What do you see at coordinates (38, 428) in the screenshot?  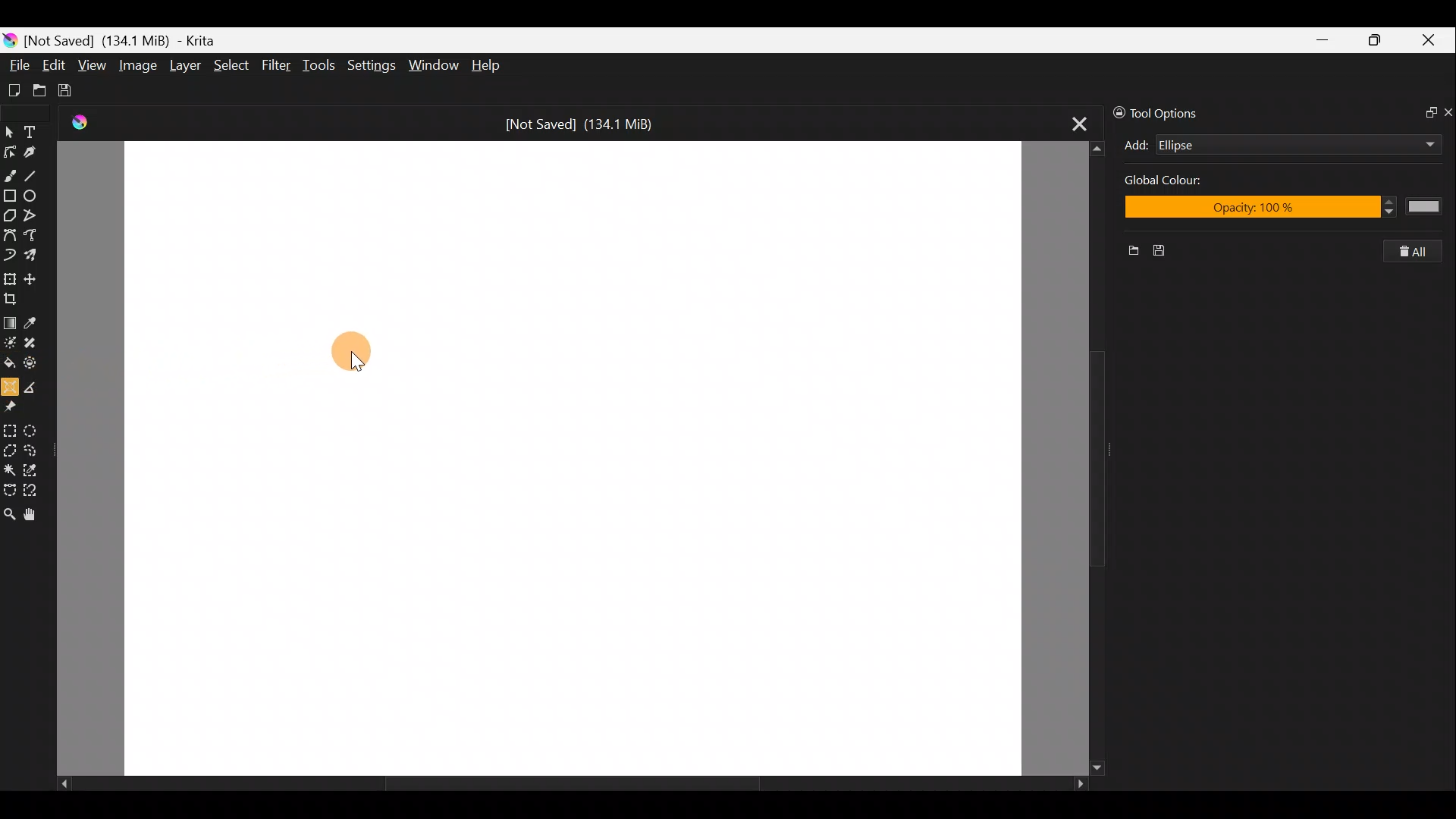 I see `Elliptical selection tool` at bounding box center [38, 428].